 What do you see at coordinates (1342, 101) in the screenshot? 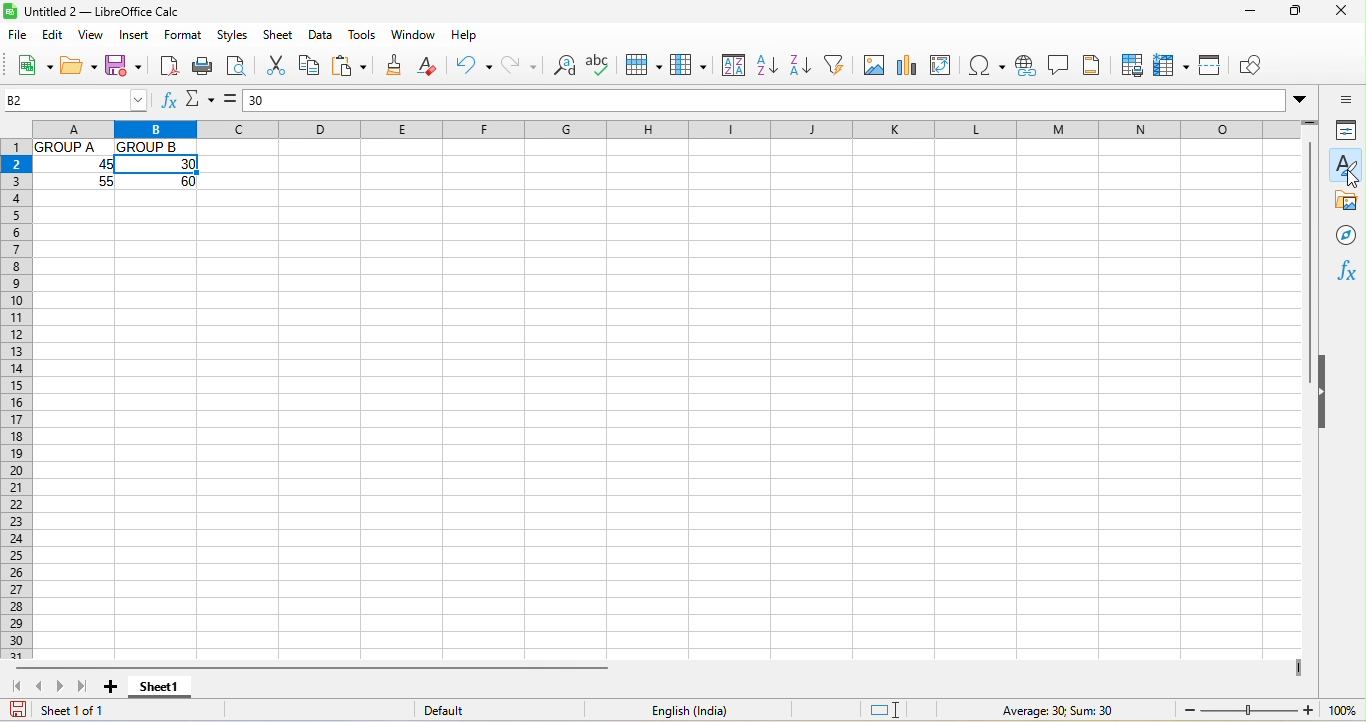
I see `sidebar settings` at bounding box center [1342, 101].